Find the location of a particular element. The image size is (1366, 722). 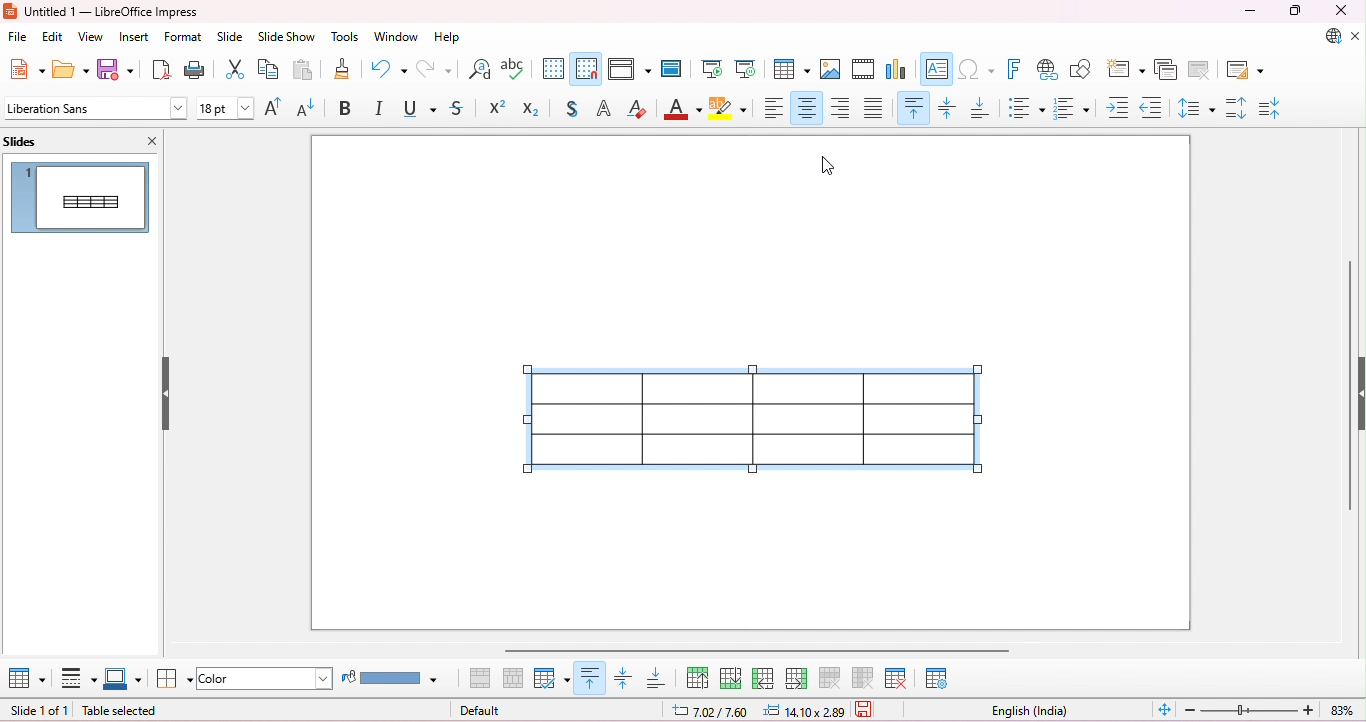

align bottom is located at coordinates (657, 677).